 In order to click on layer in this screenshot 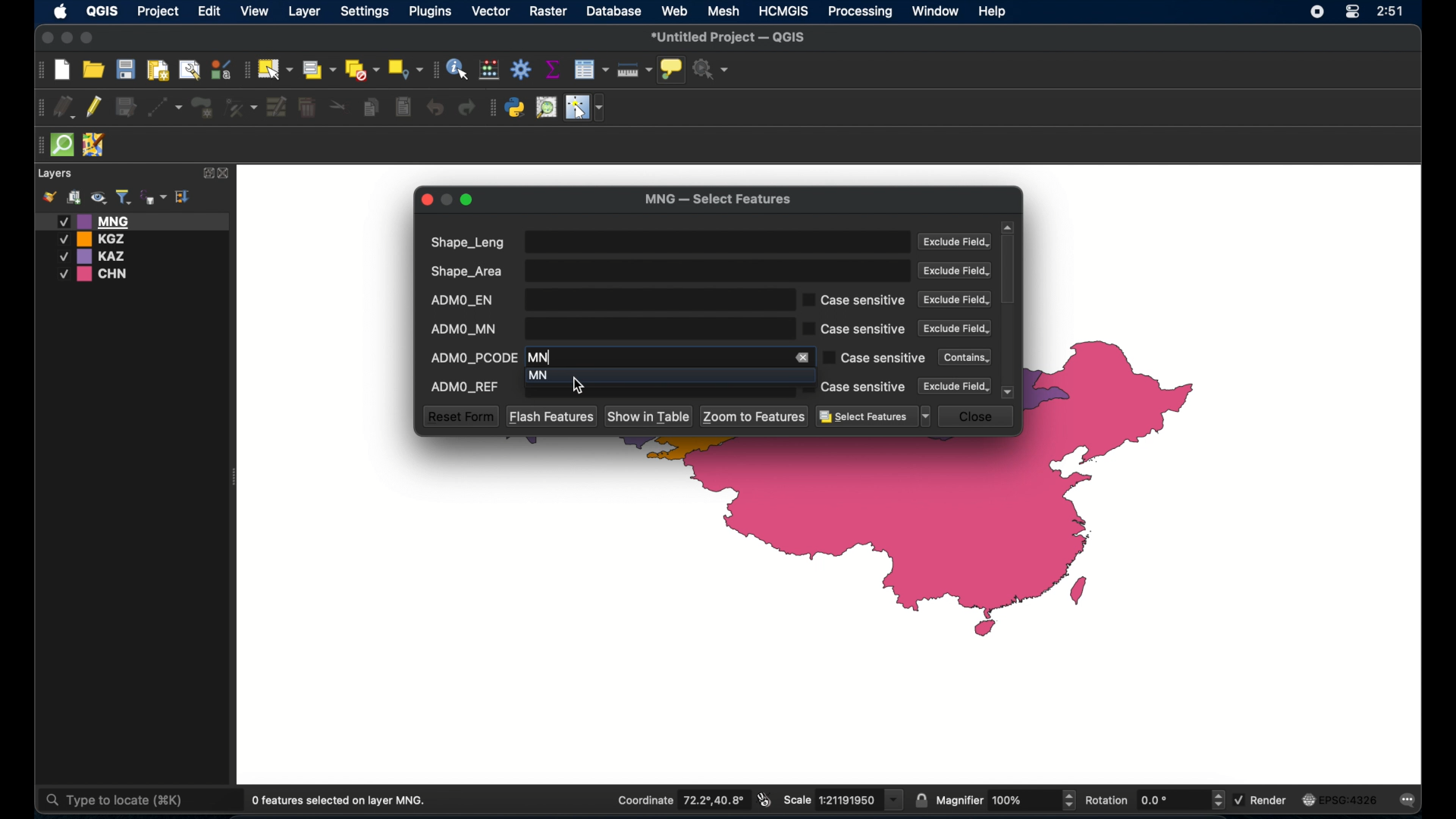, I will do `click(303, 11)`.